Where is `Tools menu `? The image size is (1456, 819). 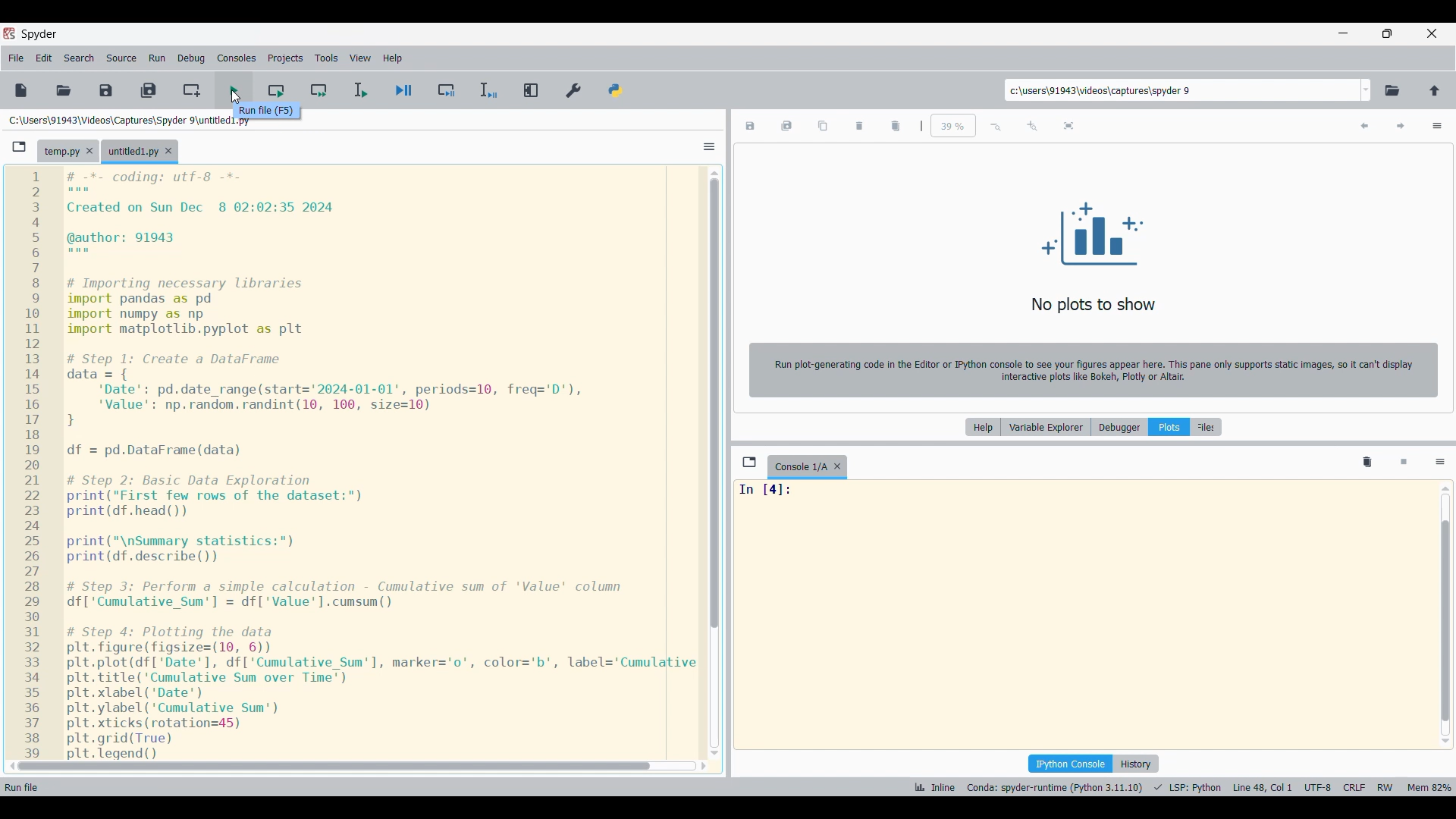
Tools menu  is located at coordinates (326, 58).